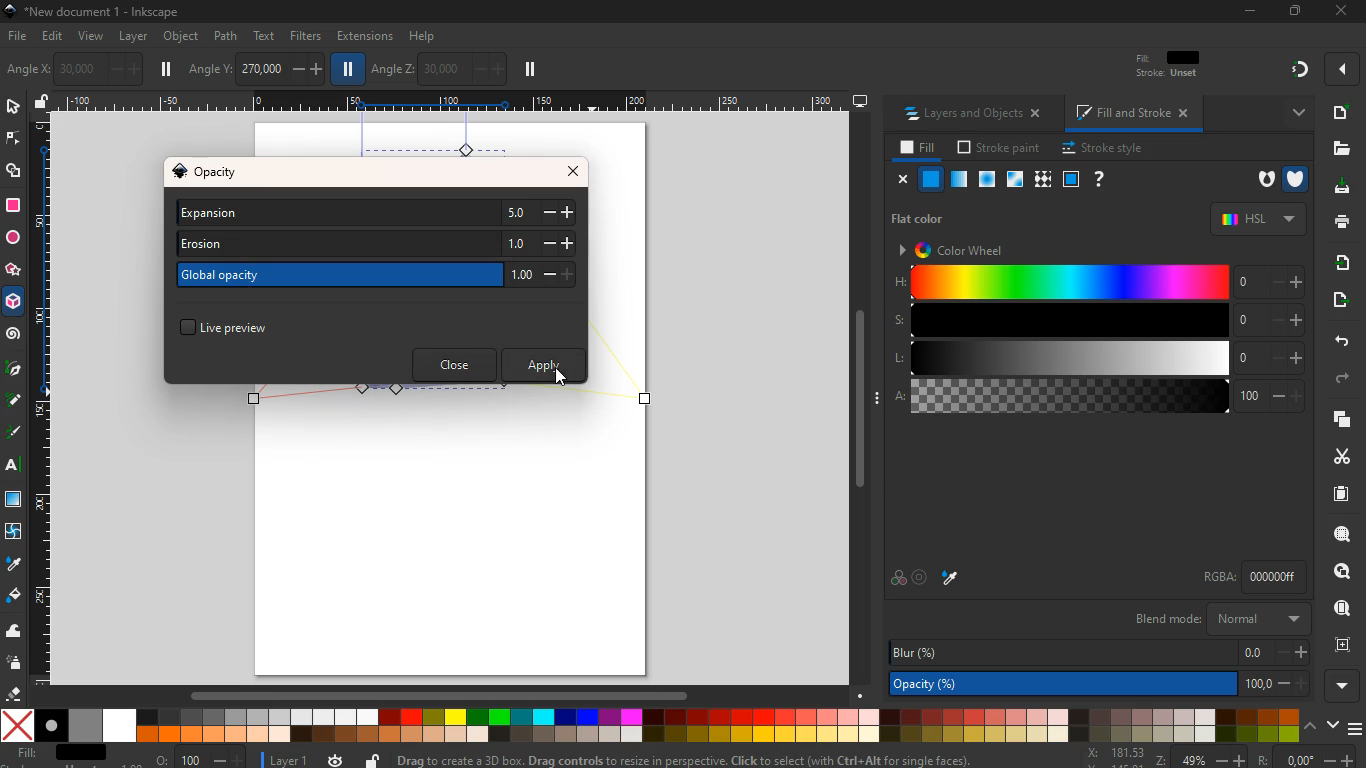 The height and width of the screenshot is (768, 1366). Describe the element at coordinates (1338, 187) in the screenshot. I see `dowload` at that location.